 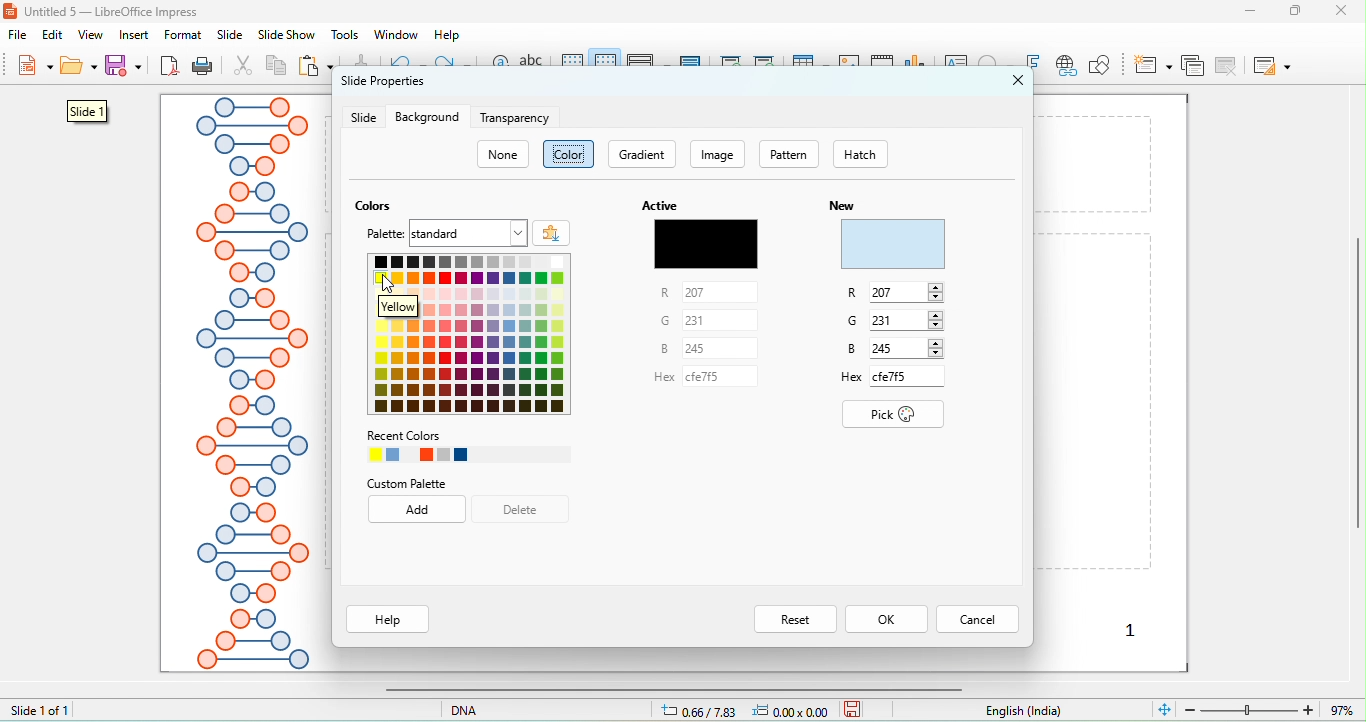 What do you see at coordinates (389, 619) in the screenshot?
I see `help` at bounding box center [389, 619].